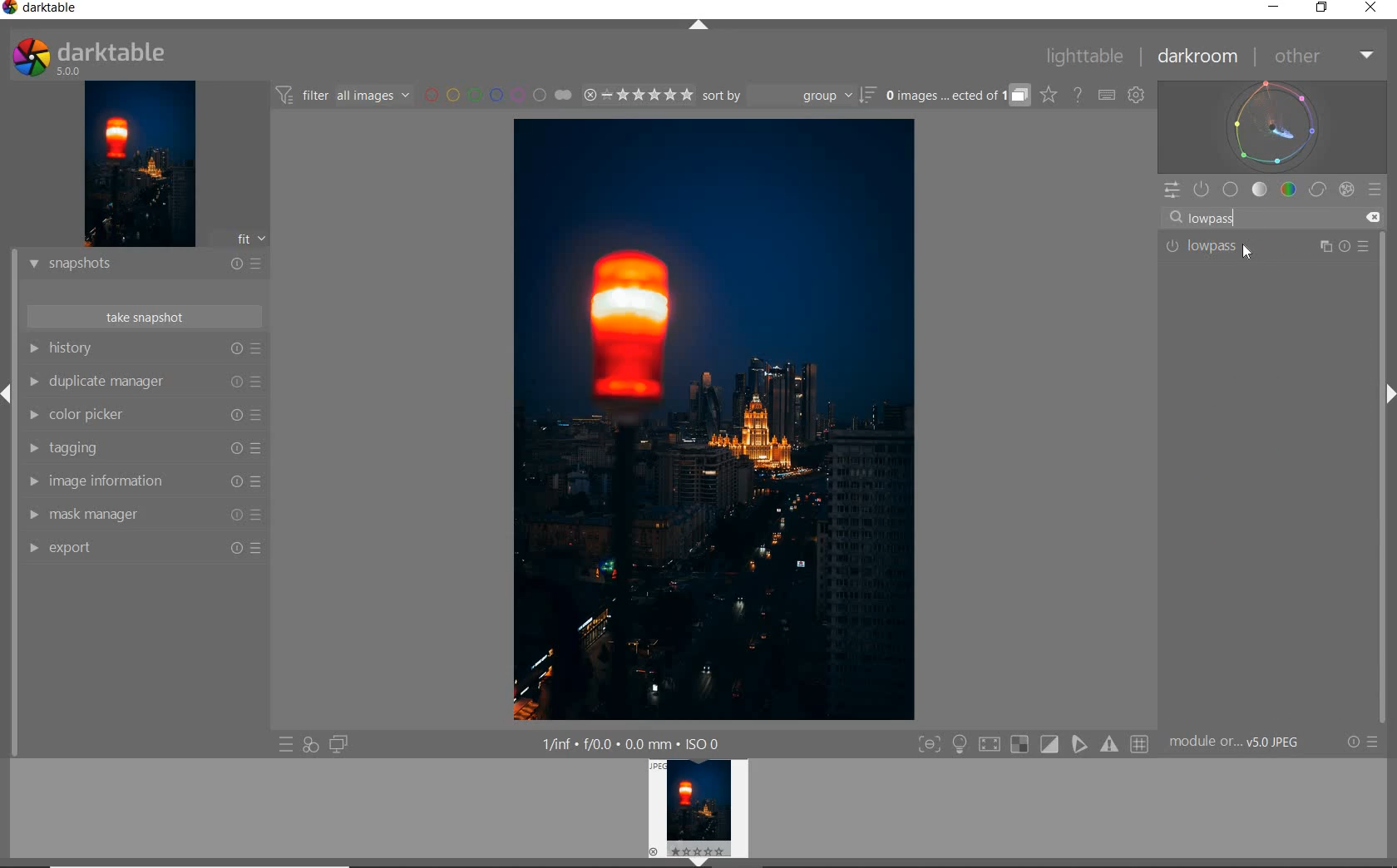  I want to click on SNAPSHOTS, so click(108, 264).